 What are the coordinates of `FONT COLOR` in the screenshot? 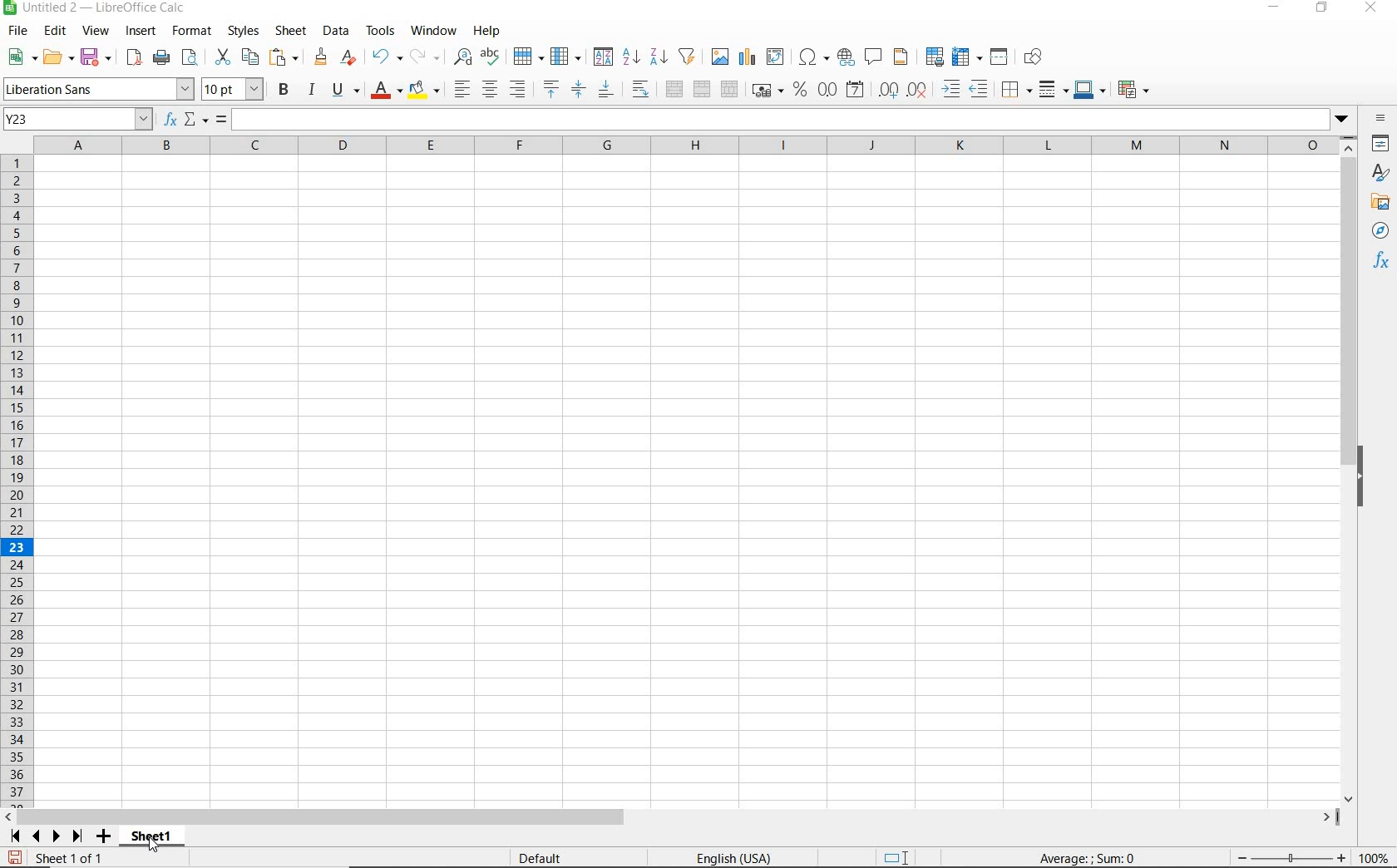 It's located at (386, 91).